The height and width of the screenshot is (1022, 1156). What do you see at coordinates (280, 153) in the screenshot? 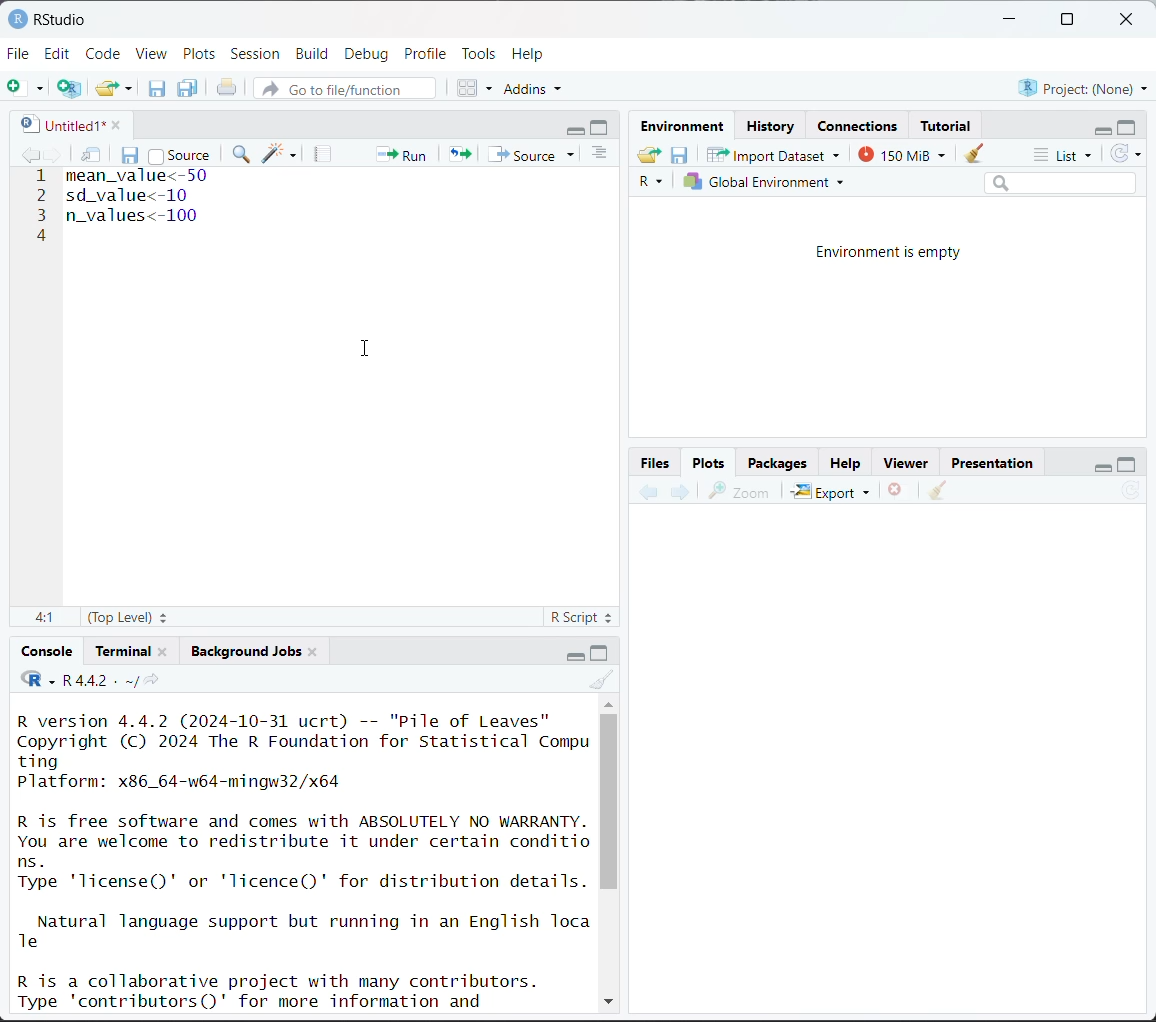
I see `code tools` at bounding box center [280, 153].